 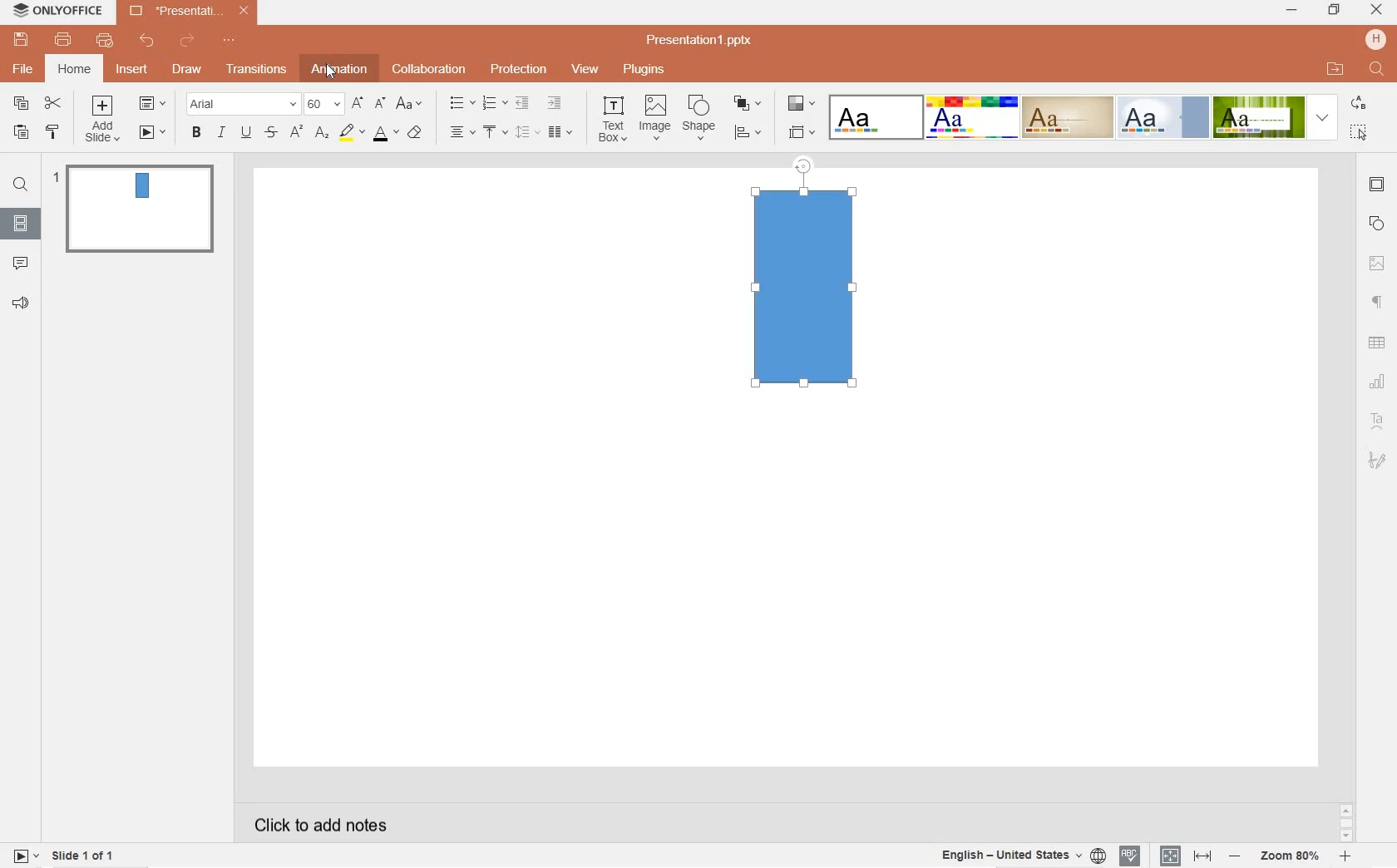 I want to click on image, so click(x=654, y=118).